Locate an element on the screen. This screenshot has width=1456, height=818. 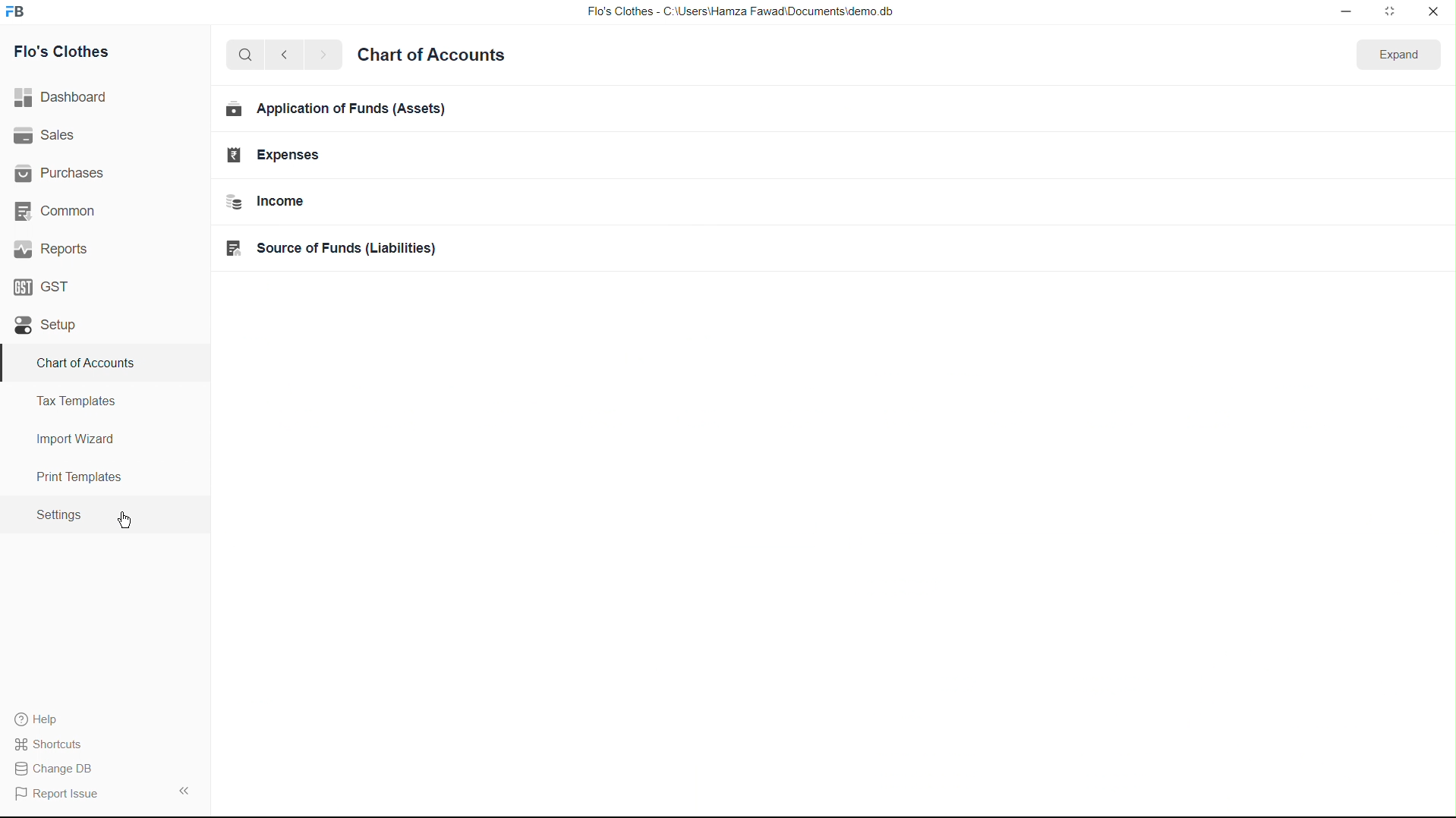
Back is located at coordinates (279, 56).